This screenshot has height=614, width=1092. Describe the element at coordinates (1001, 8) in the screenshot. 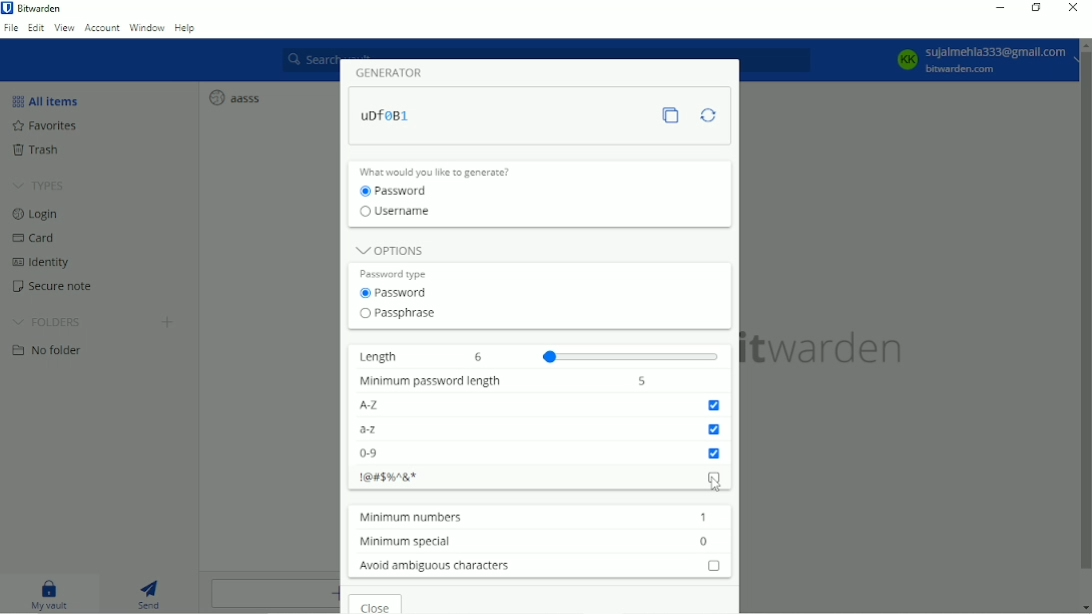

I see `Minimize` at that location.